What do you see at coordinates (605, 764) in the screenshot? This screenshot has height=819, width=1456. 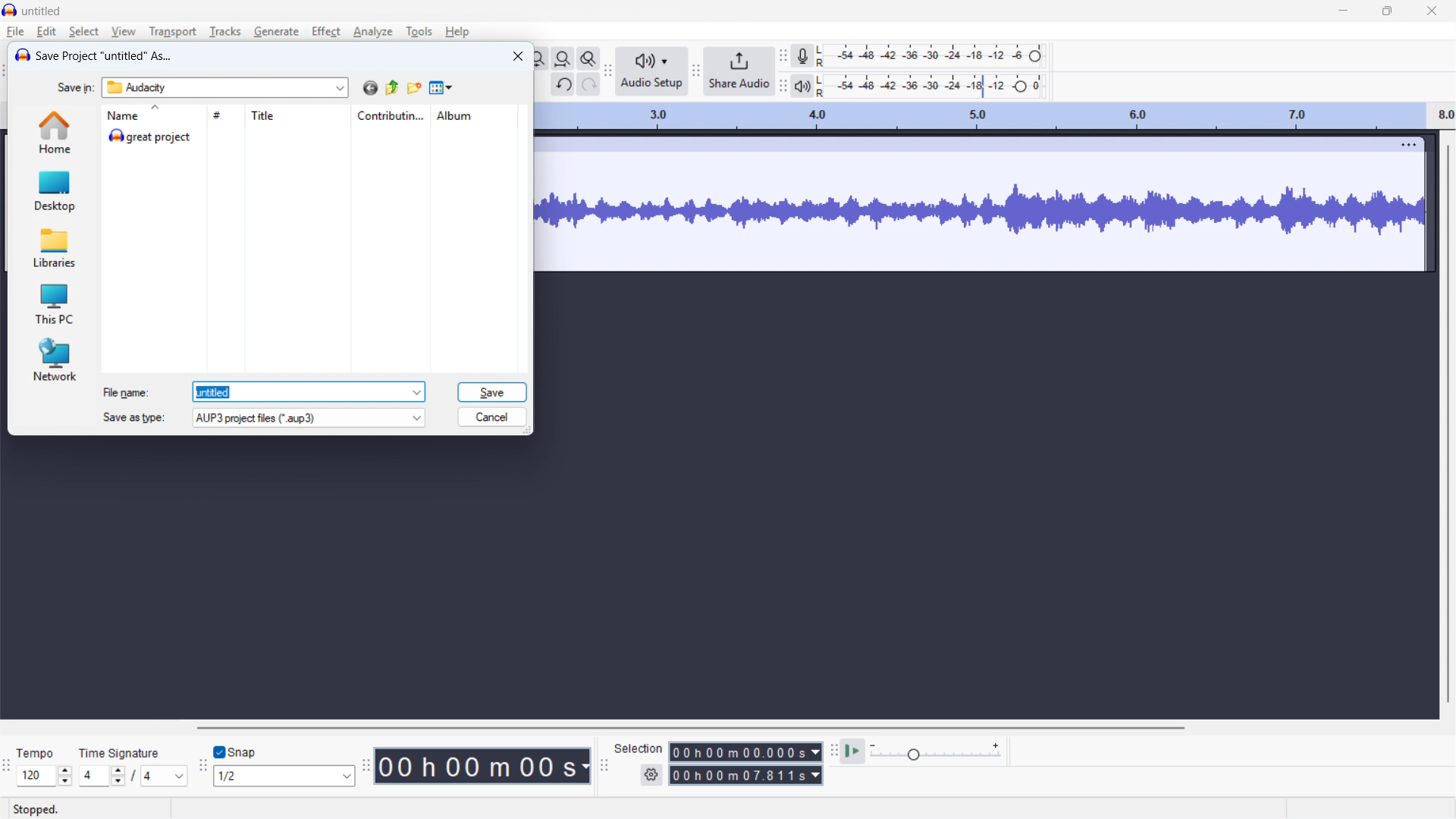 I see `selection toolbar` at bounding box center [605, 764].